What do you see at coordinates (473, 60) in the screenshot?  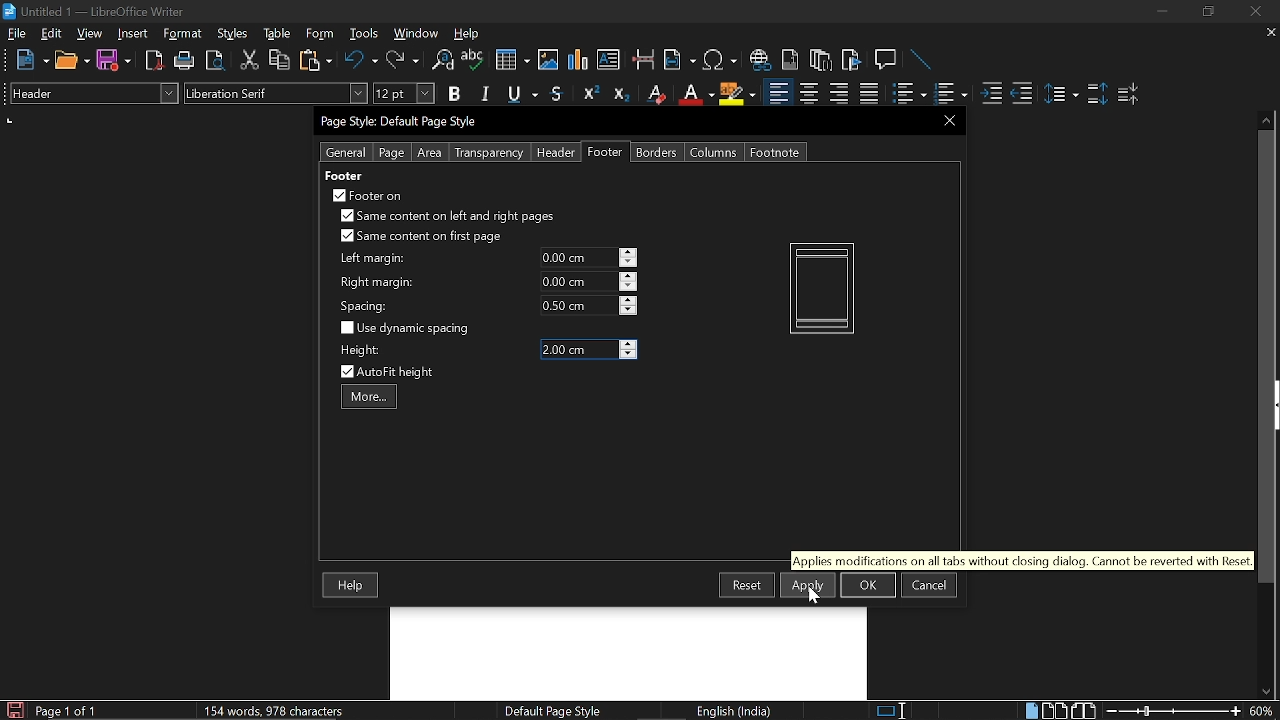 I see `Spell check` at bounding box center [473, 60].